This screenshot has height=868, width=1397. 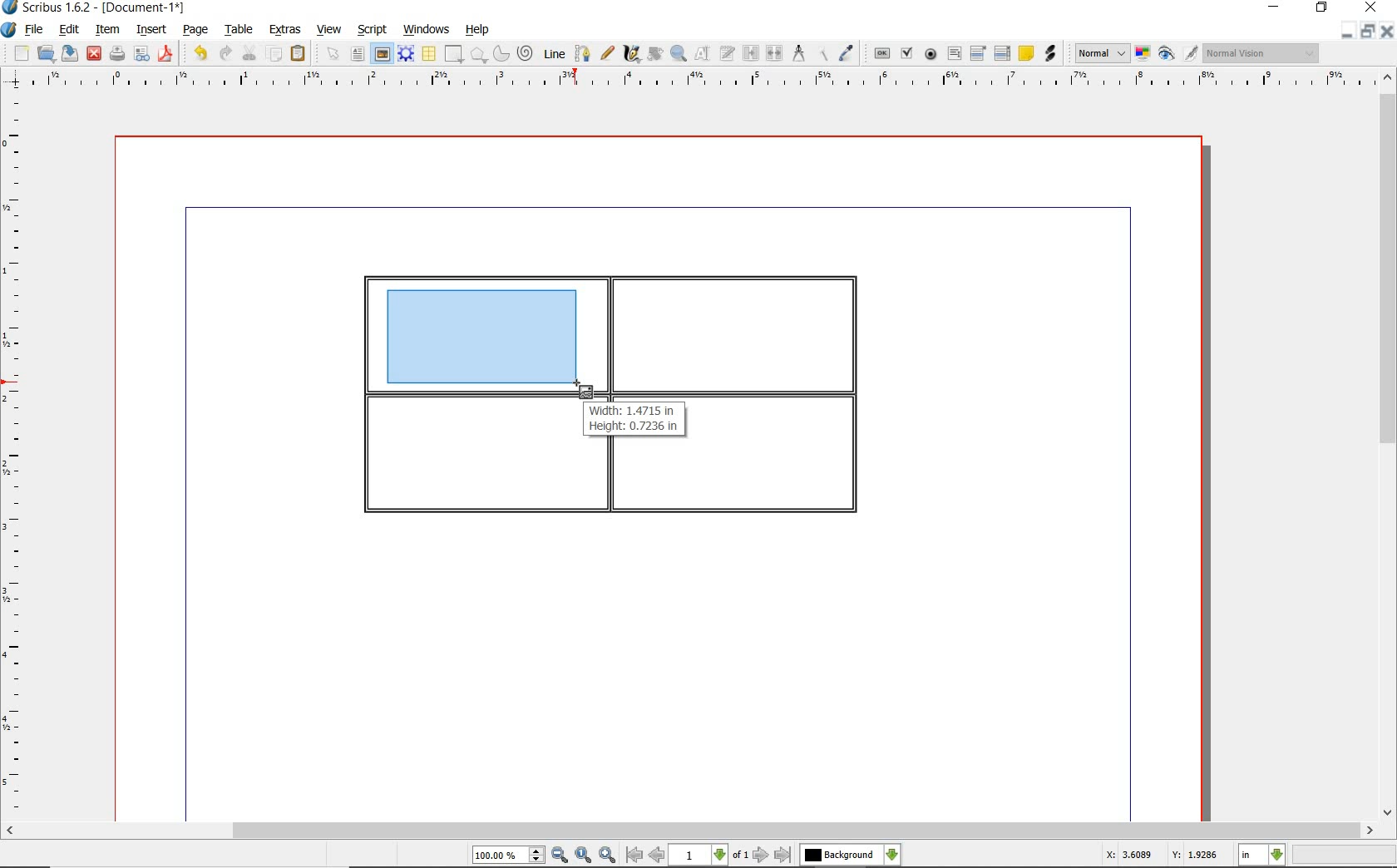 What do you see at coordinates (1386, 32) in the screenshot?
I see `close` at bounding box center [1386, 32].